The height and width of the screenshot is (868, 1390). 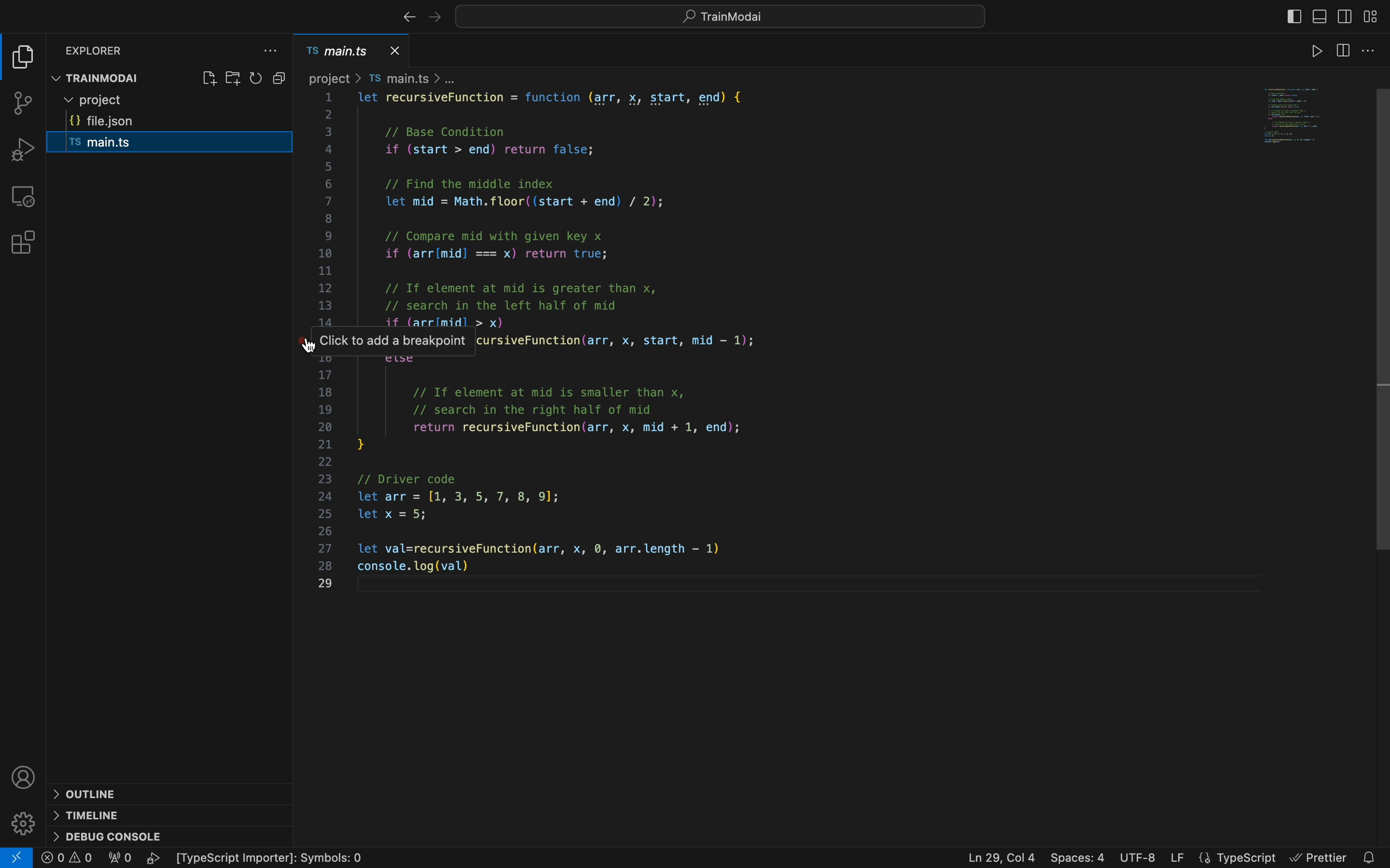 What do you see at coordinates (1371, 857) in the screenshot?
I see `notification` at bounding box center [1371, 857].